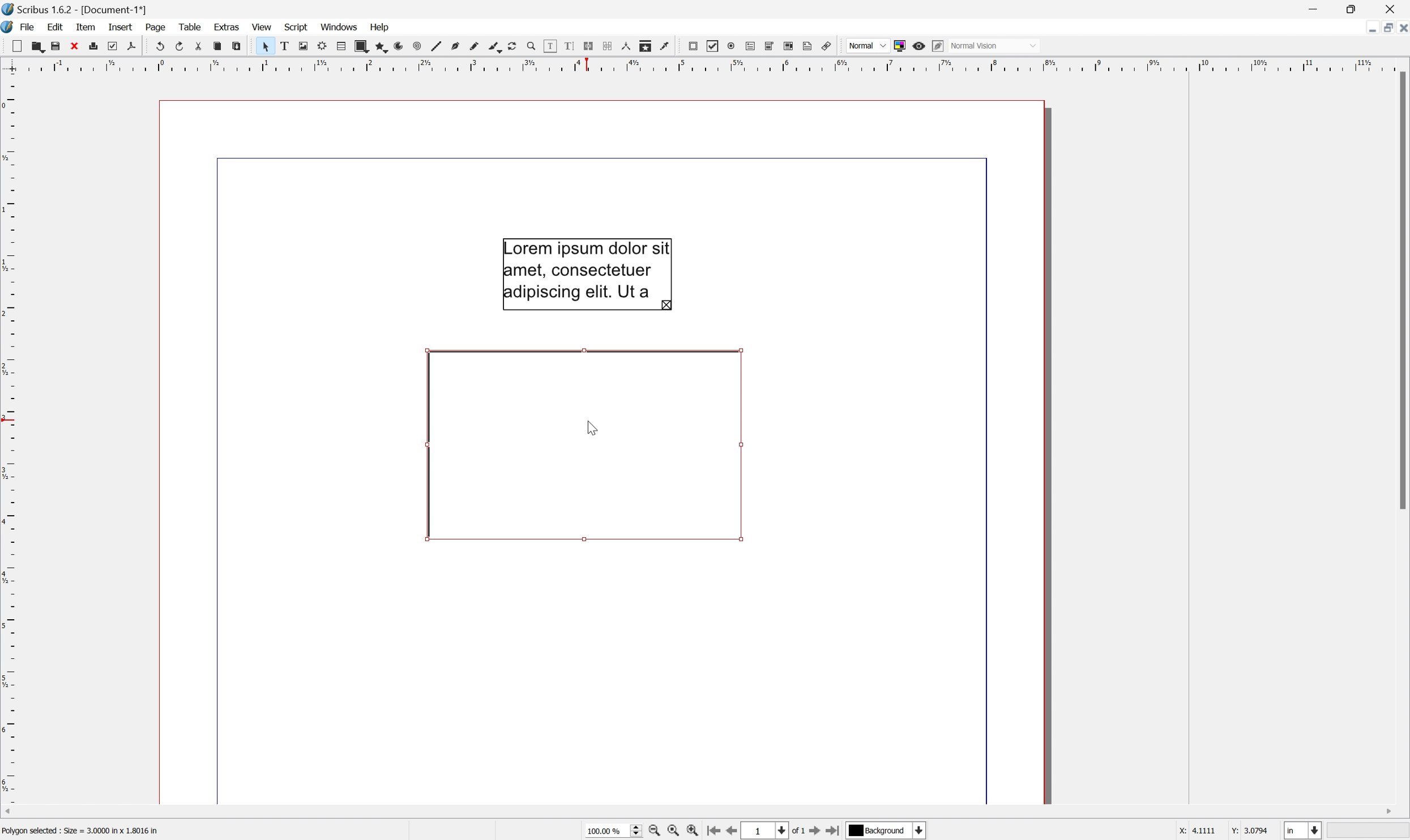  Describe the element at coordinates (887, 832) in the screenshot. I see `Select the current payer` at that location.